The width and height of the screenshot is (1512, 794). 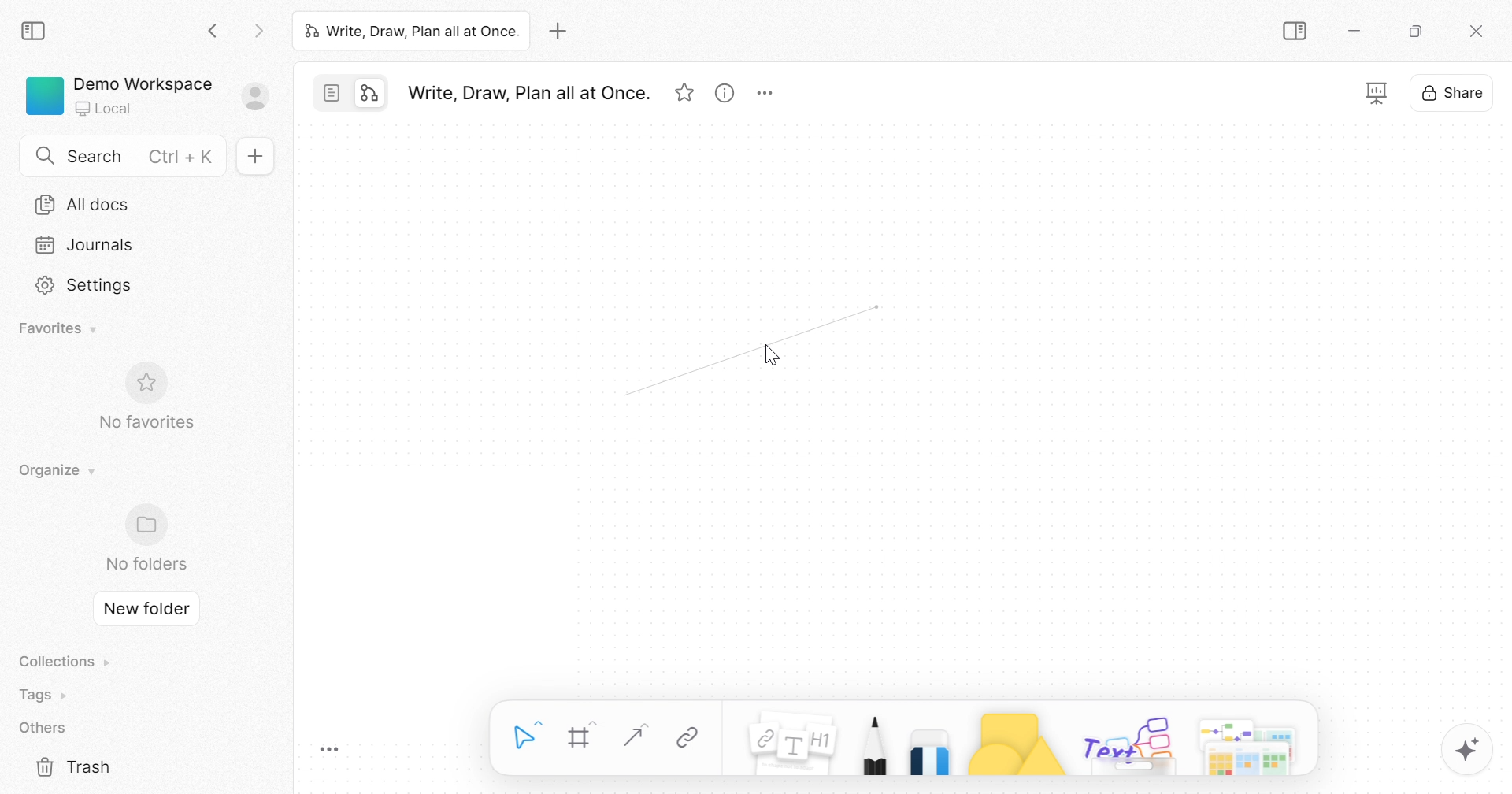 What do you see at coordinates (931, 748) in the screenshot?
I see `Eraser` at bounding box center [931, 748].